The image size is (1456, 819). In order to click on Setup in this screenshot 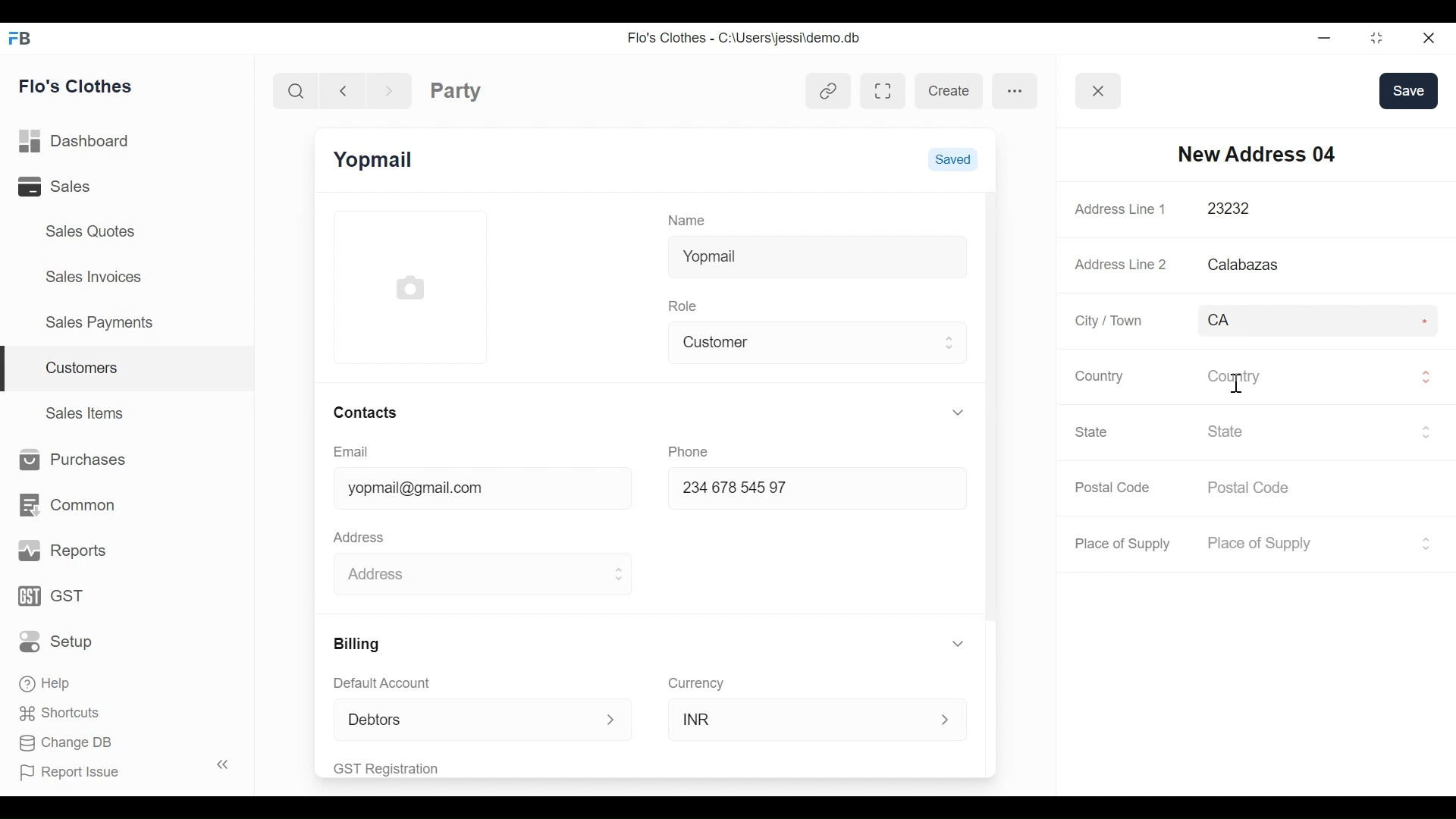, I will do `click(60, 641)`.